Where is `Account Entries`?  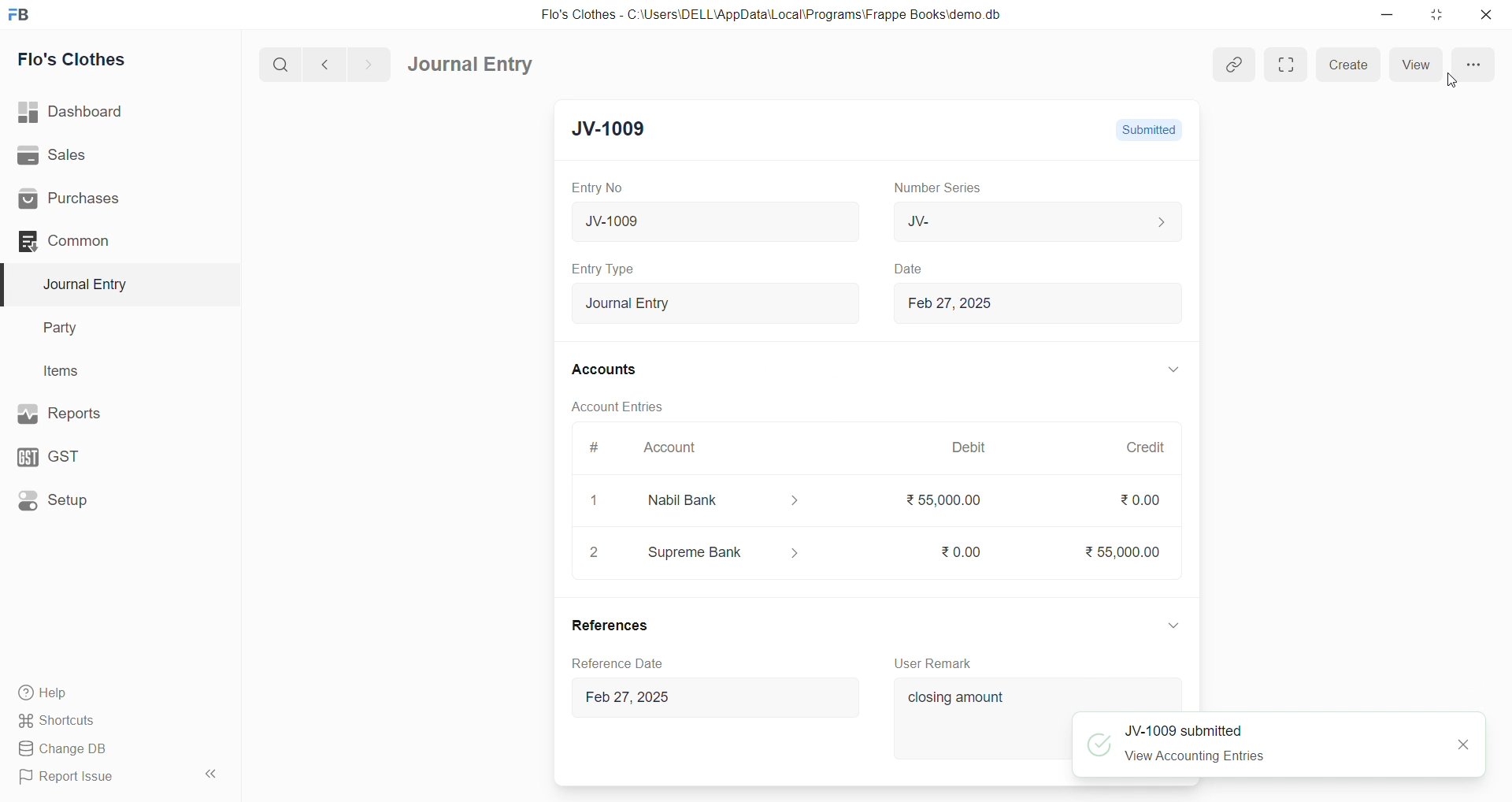 Account Entries is located at coordinates (619, 405).